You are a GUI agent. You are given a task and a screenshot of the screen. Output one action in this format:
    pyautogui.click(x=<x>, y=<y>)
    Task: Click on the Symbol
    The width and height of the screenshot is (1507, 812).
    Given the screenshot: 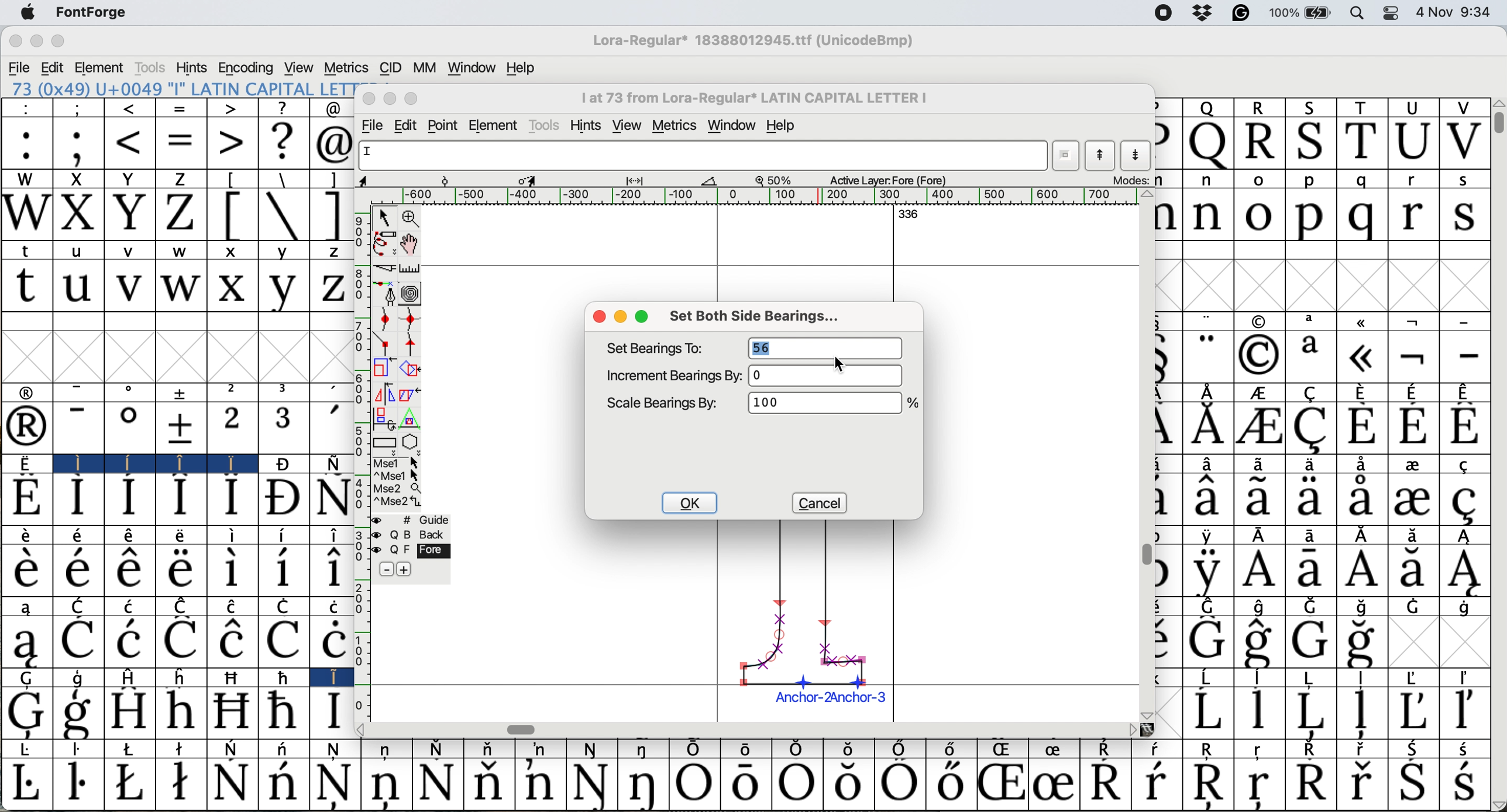 What is the action you would take?
    pyautogui.click(x=1259, y=465)
    